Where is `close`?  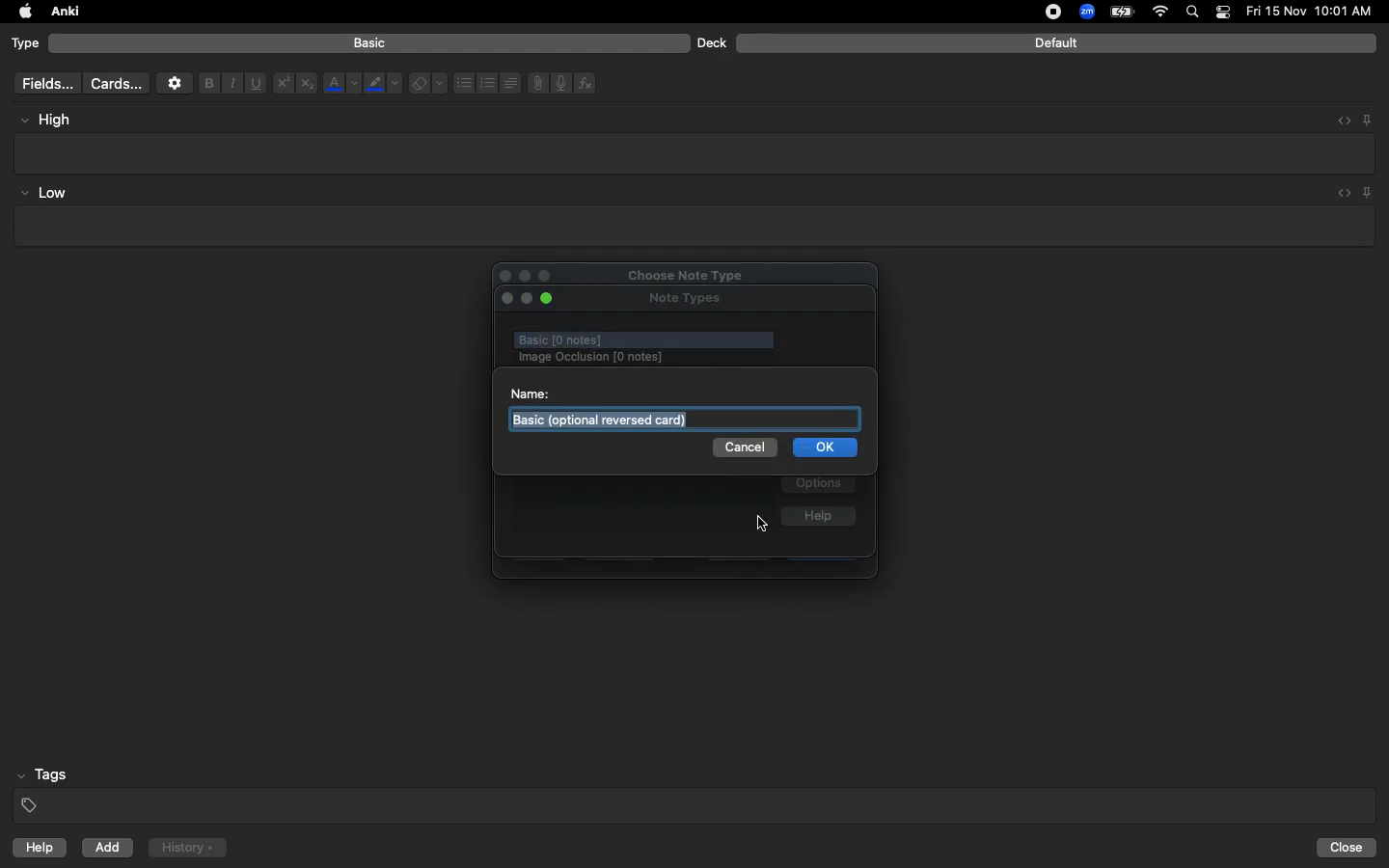 close is located at coordinates (505, 299).